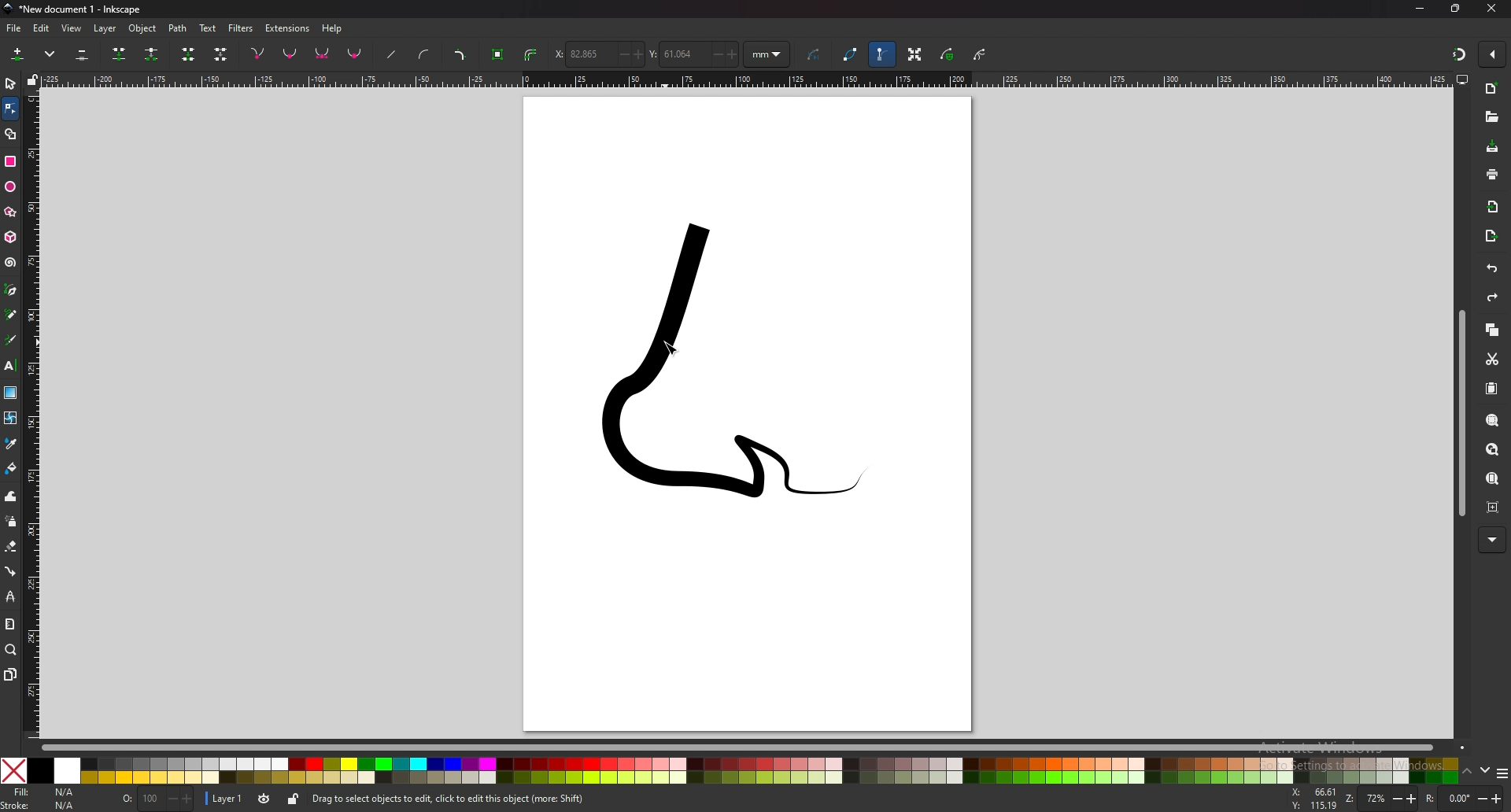 Image resolution: width=1511 pixels, height=812 pixels. I want to click on open, so click(1491, 119).